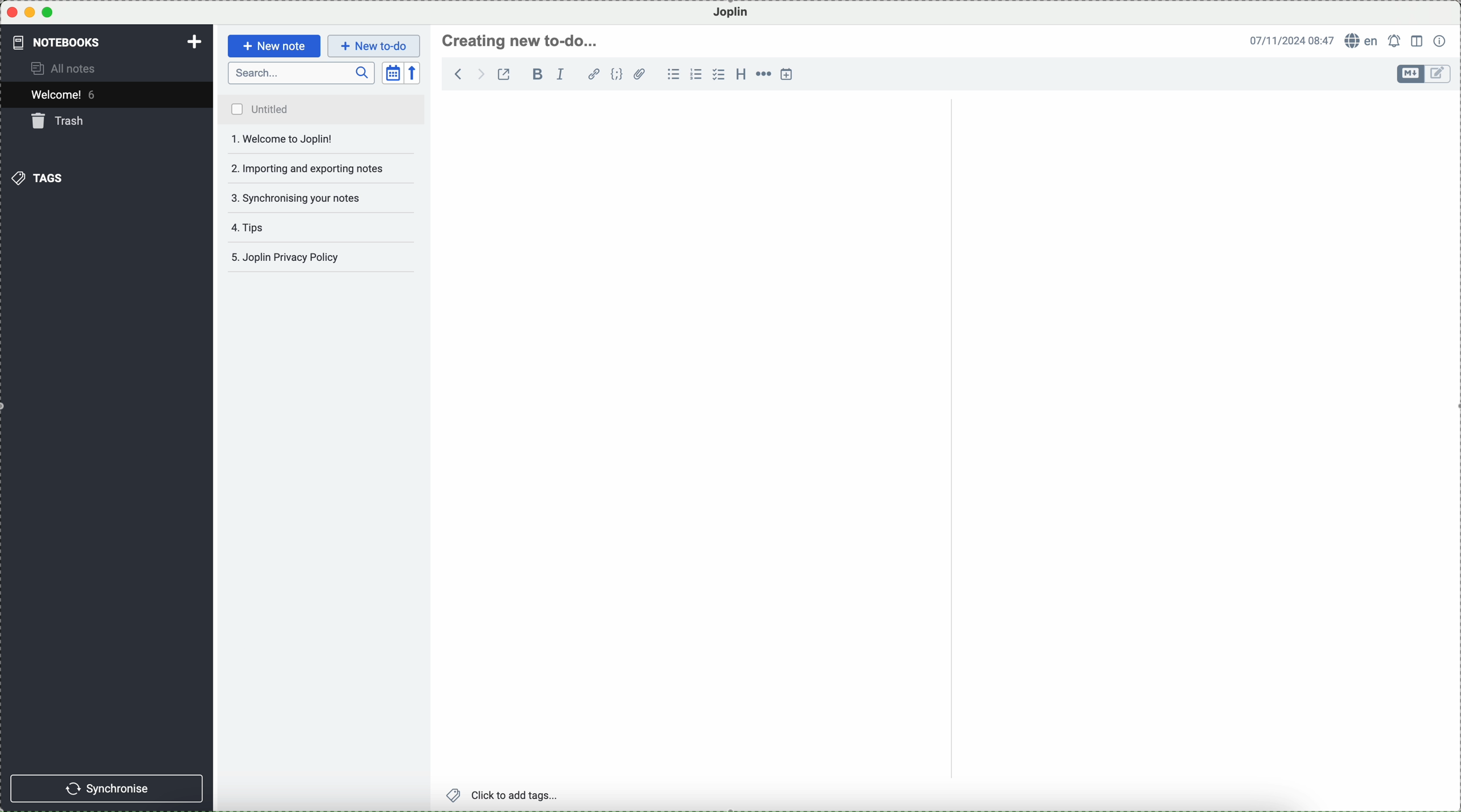  Describe the element at coordinates (253, 227) in the screenshot. I see `tips` at that location.